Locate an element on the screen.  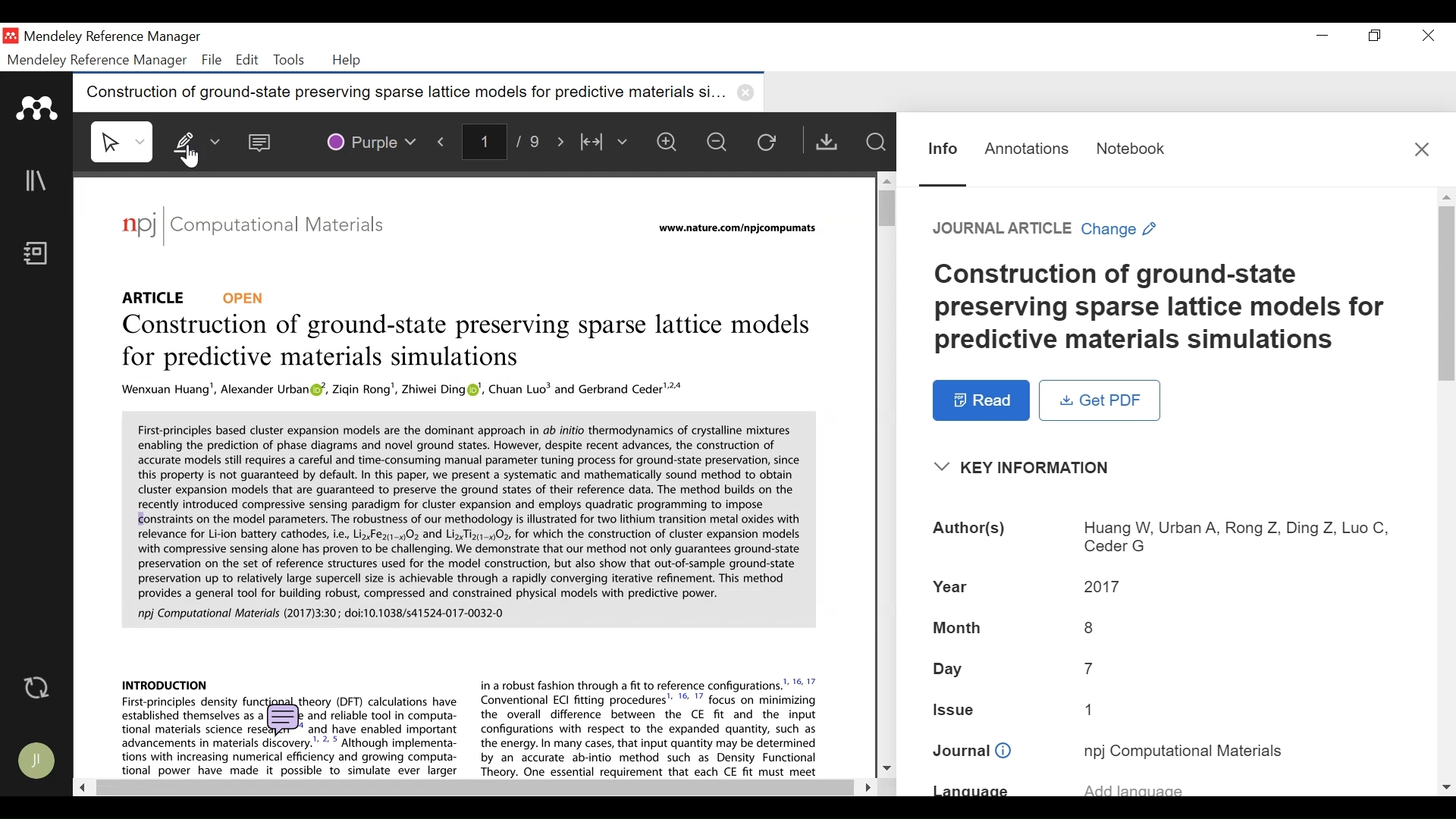
Read is located at coordinates (982, 400).